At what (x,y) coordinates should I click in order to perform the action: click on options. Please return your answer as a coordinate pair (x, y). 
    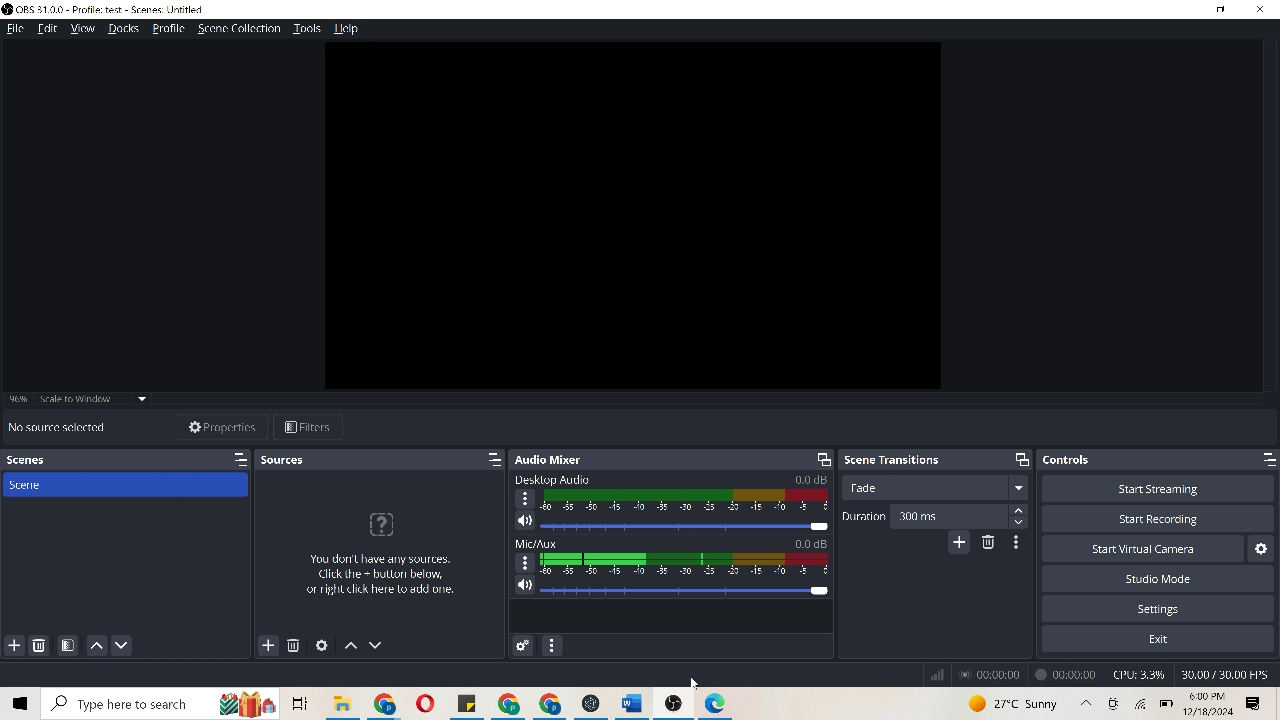
    Looking at the image, I should click on (525, 562).